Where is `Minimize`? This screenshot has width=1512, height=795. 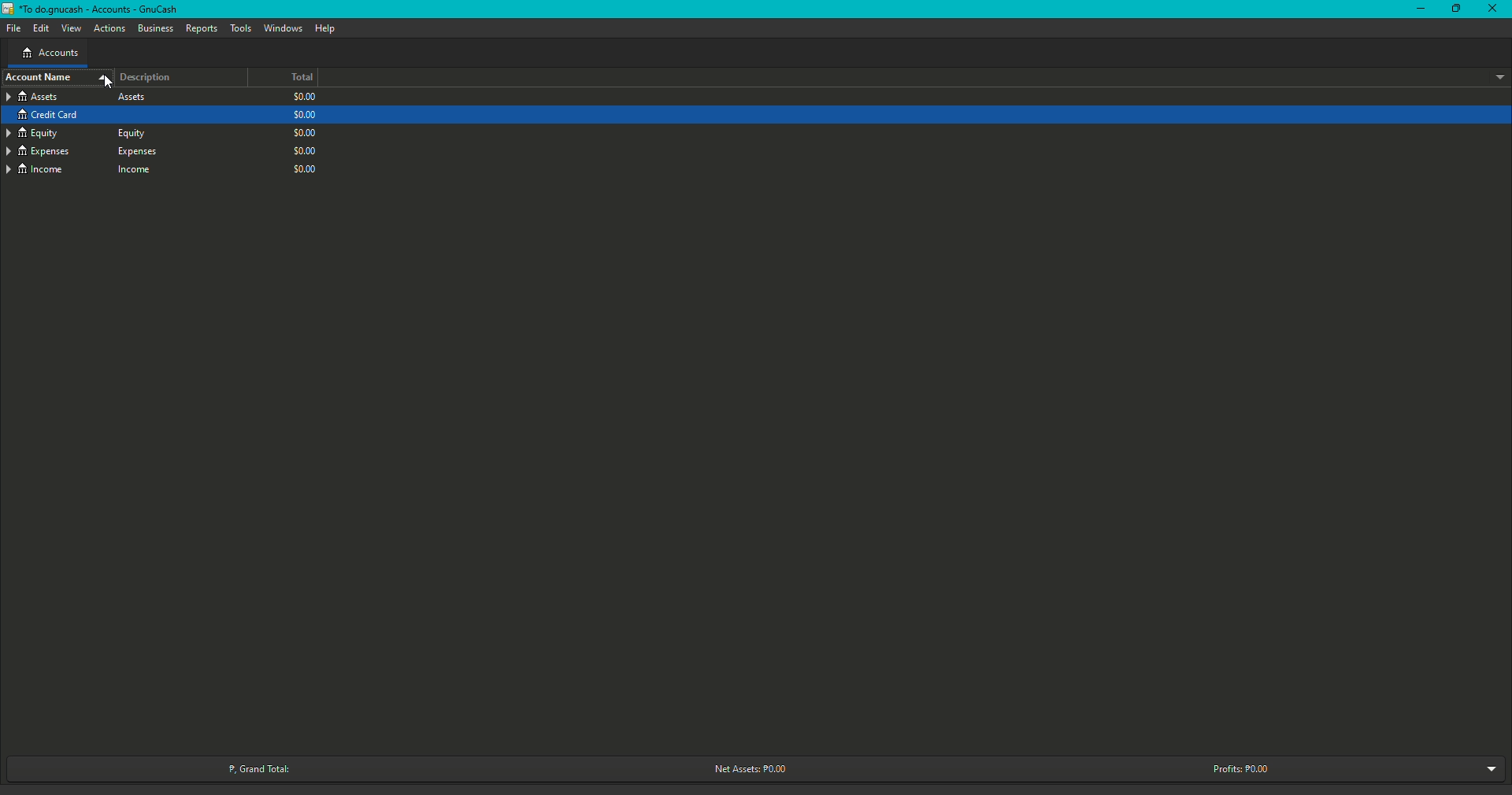 Minimize is located at coordinates (1417, 9).